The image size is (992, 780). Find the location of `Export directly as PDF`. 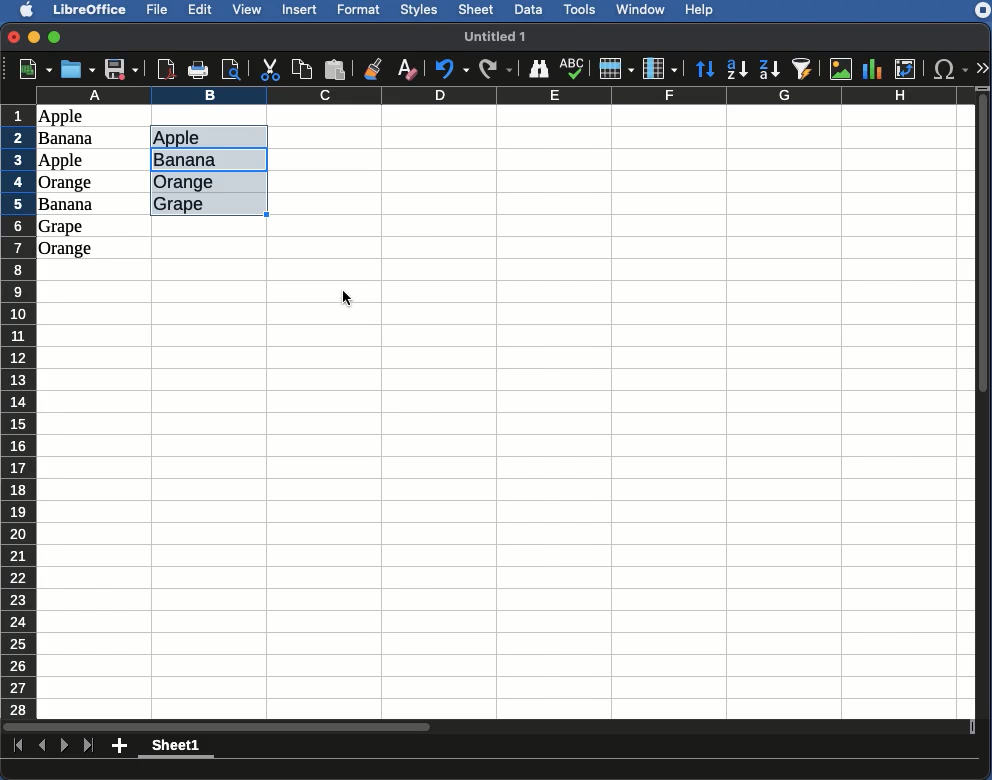

Export directly as PDF is located at coordinates (167, 68).